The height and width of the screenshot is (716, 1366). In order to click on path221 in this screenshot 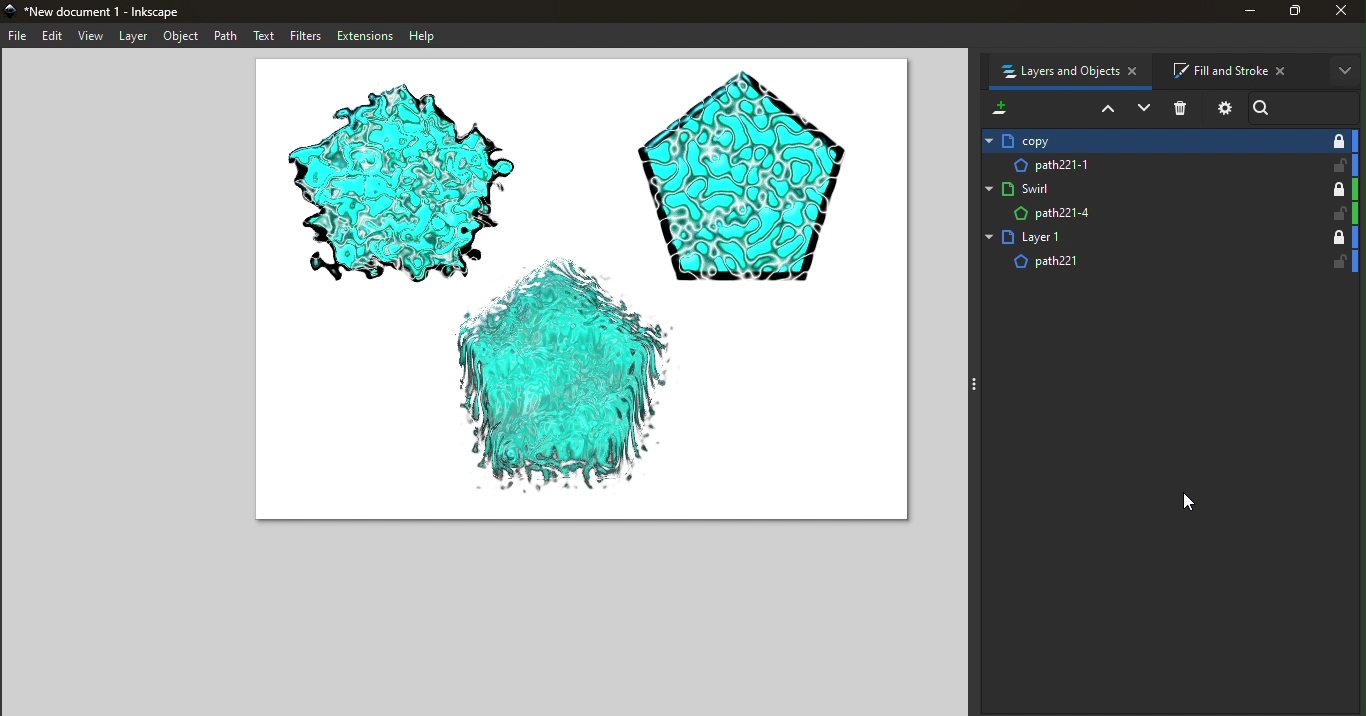, I will do `click(1149, 265)`.